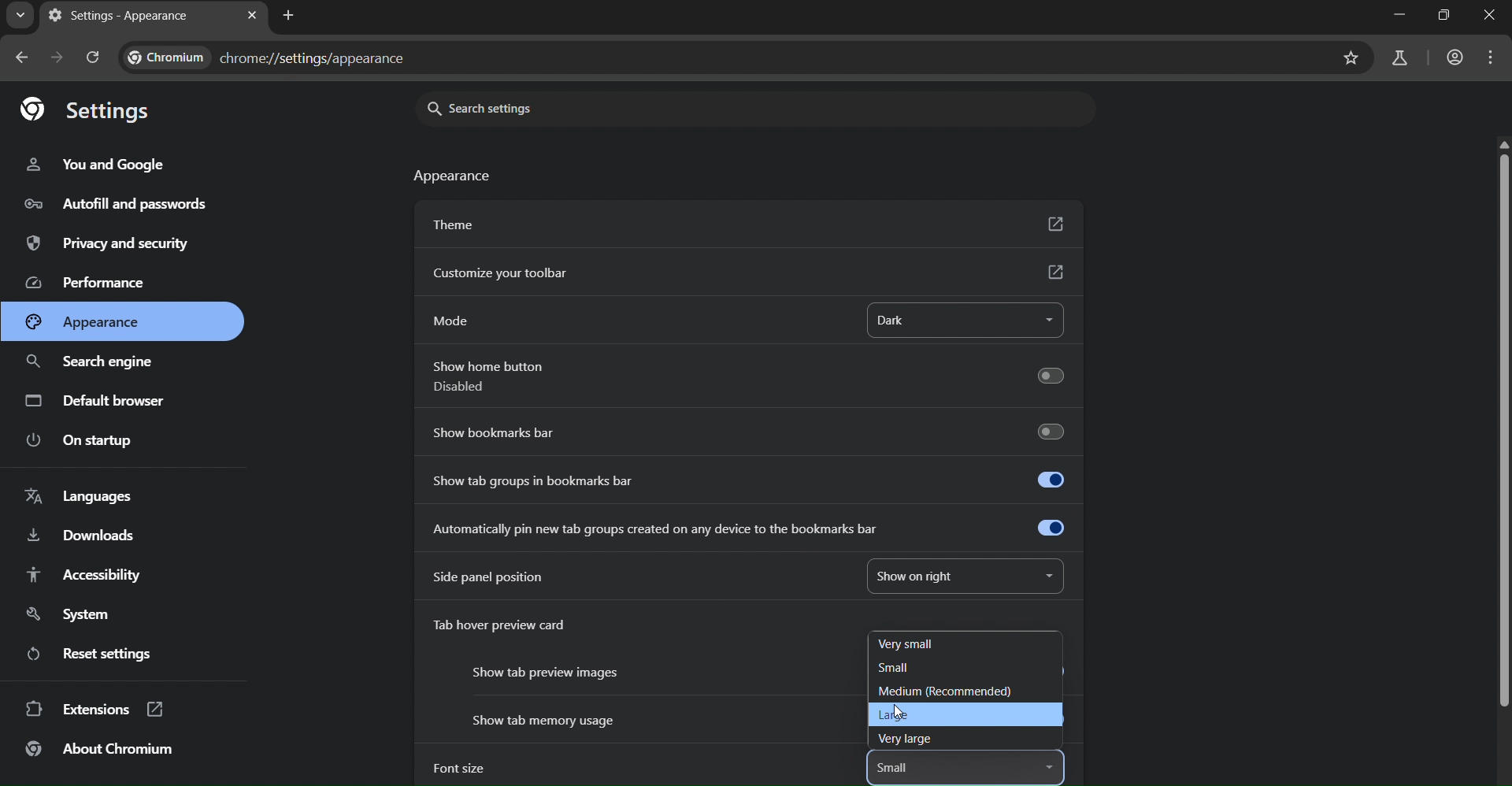 The width and height of the screenshot is (1512, 786). I want to click on cursor, so click(902, 710).